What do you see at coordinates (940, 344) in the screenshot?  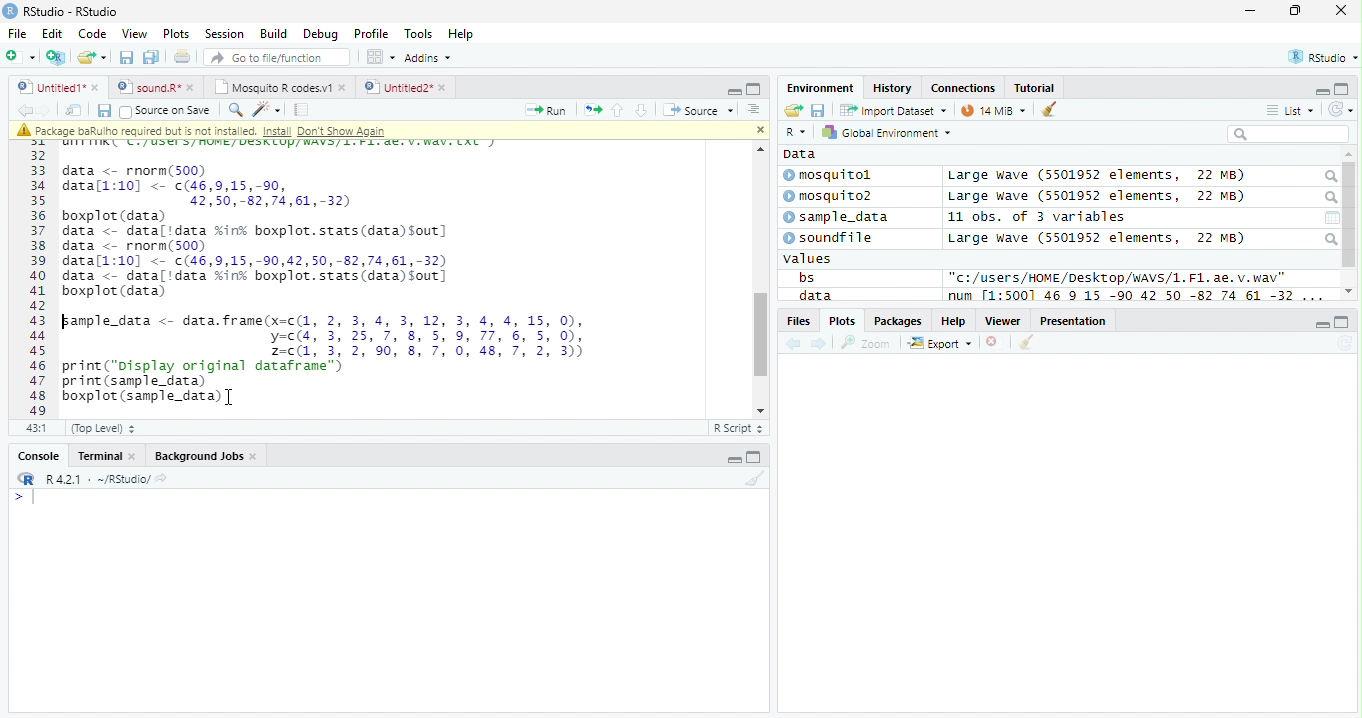 I see `Export` at bounding box center [940, 344].